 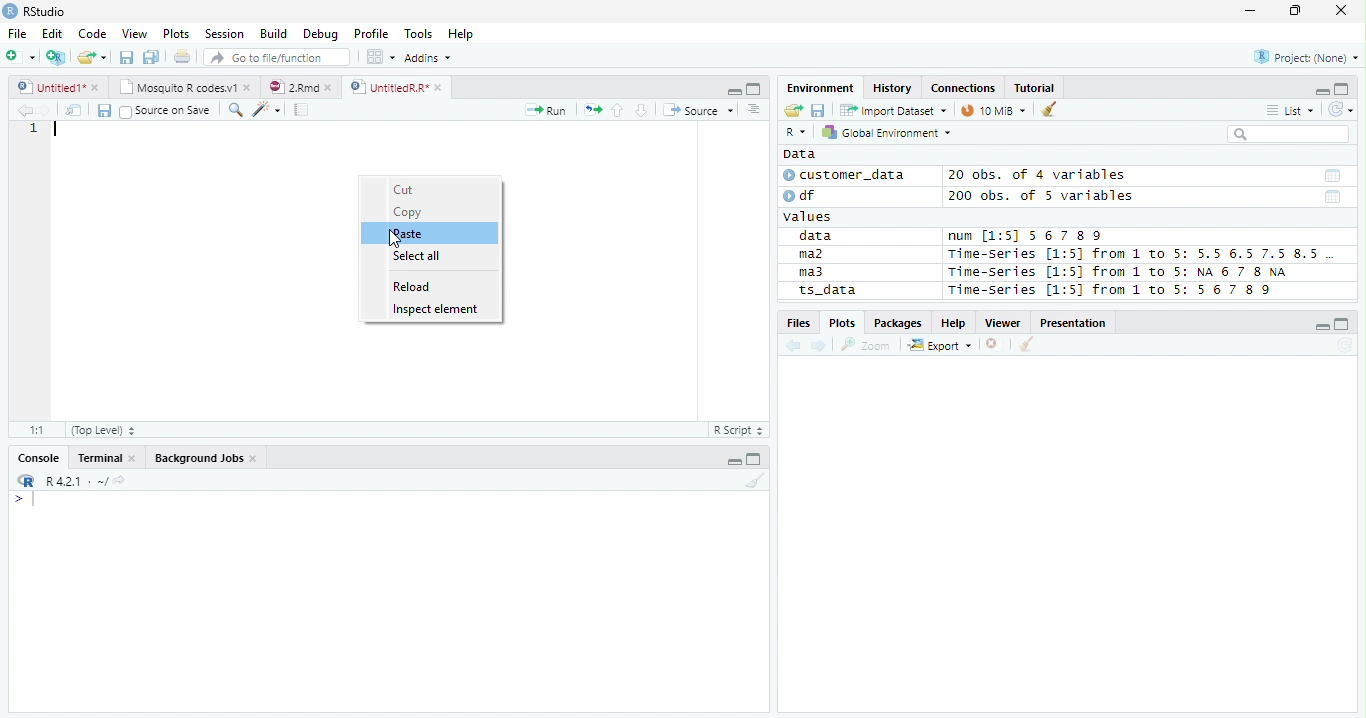 What do you see at coordinates (302, 88) in the screenshot?
I see `2.Rmd` at bounding box center [302, 88].